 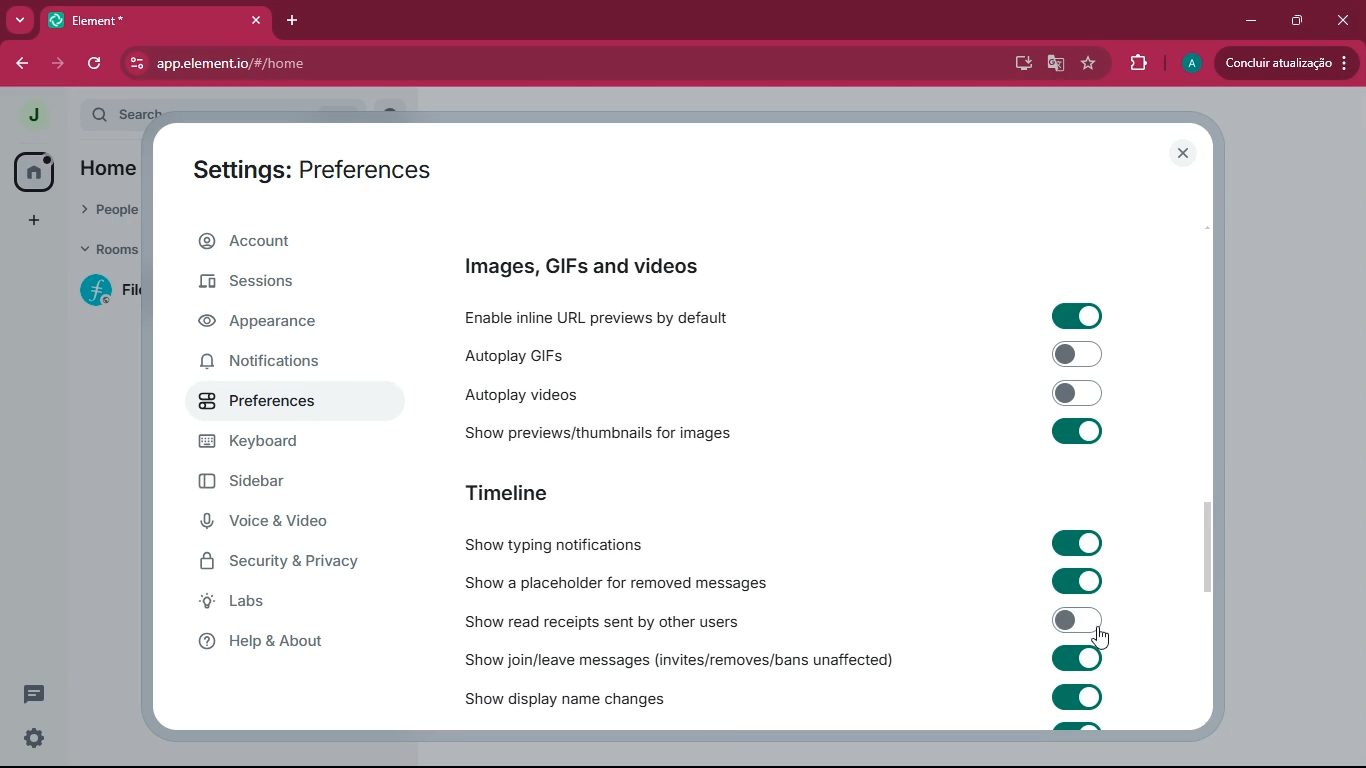 What do you see at coordinates (96, 64) in the screenshot?
I see `refresh` at bounding box center [96, 64].